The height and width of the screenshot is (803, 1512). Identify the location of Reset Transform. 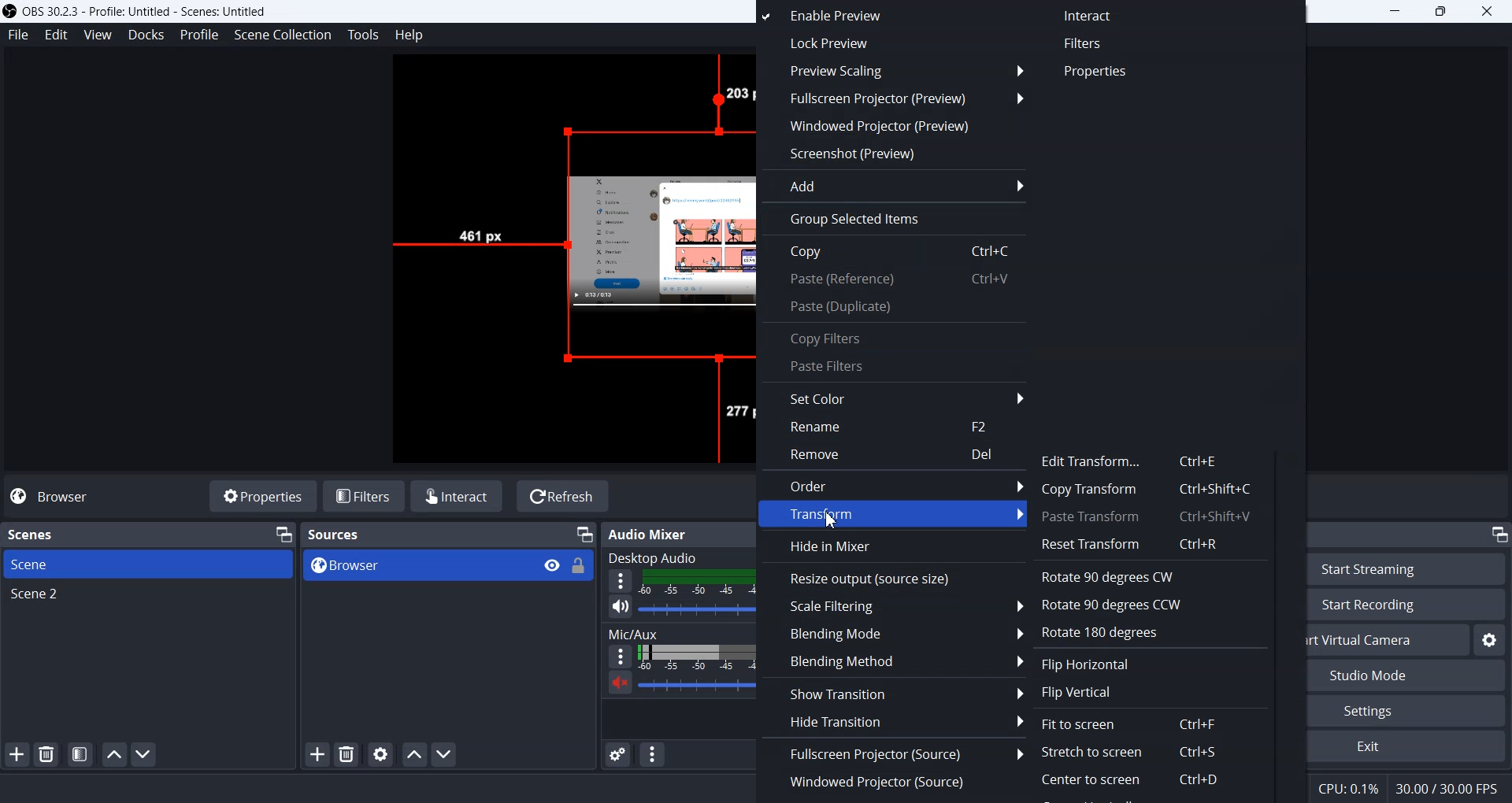
(1150, 543).